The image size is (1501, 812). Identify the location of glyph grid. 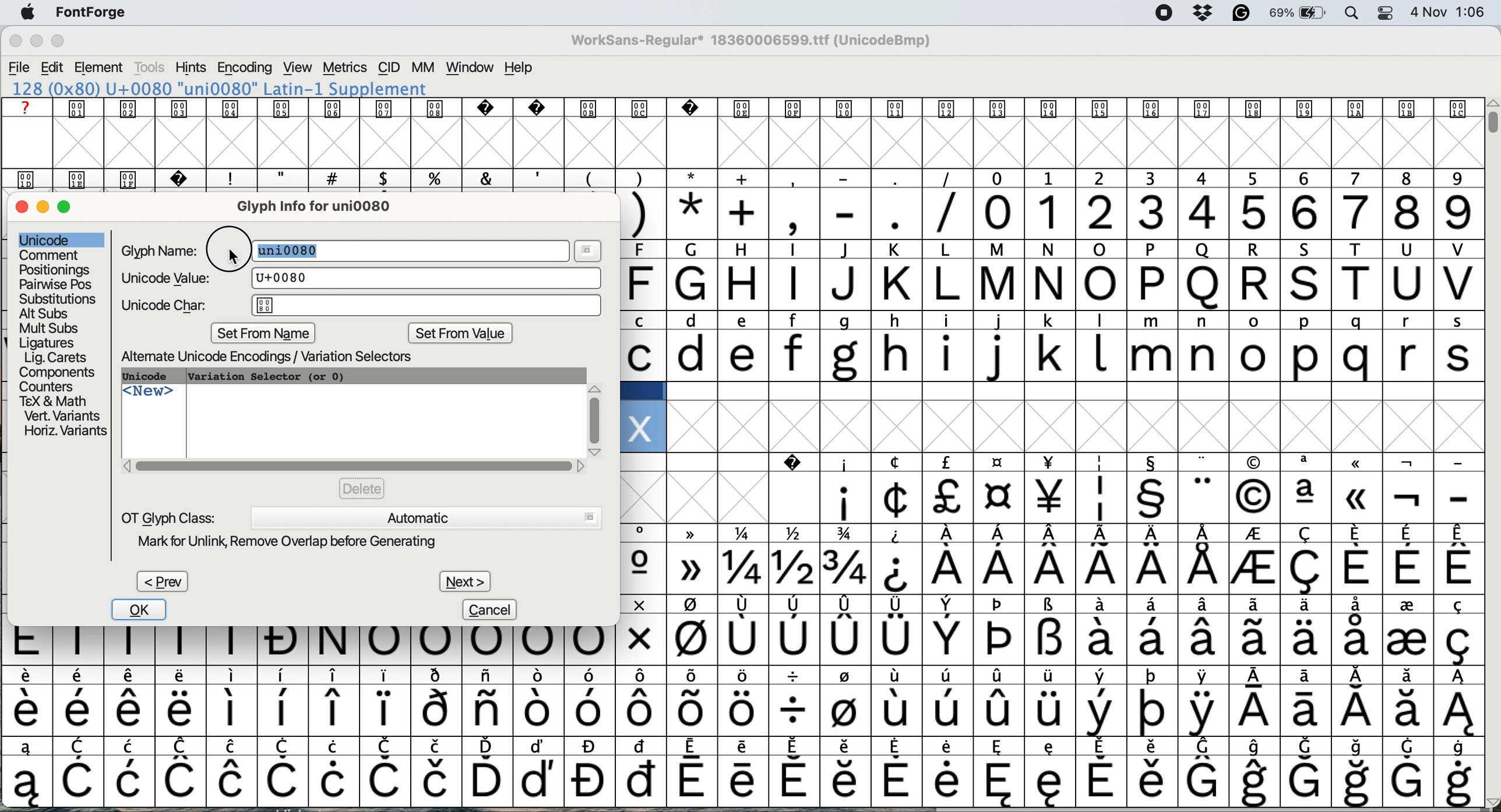
(749, 144).